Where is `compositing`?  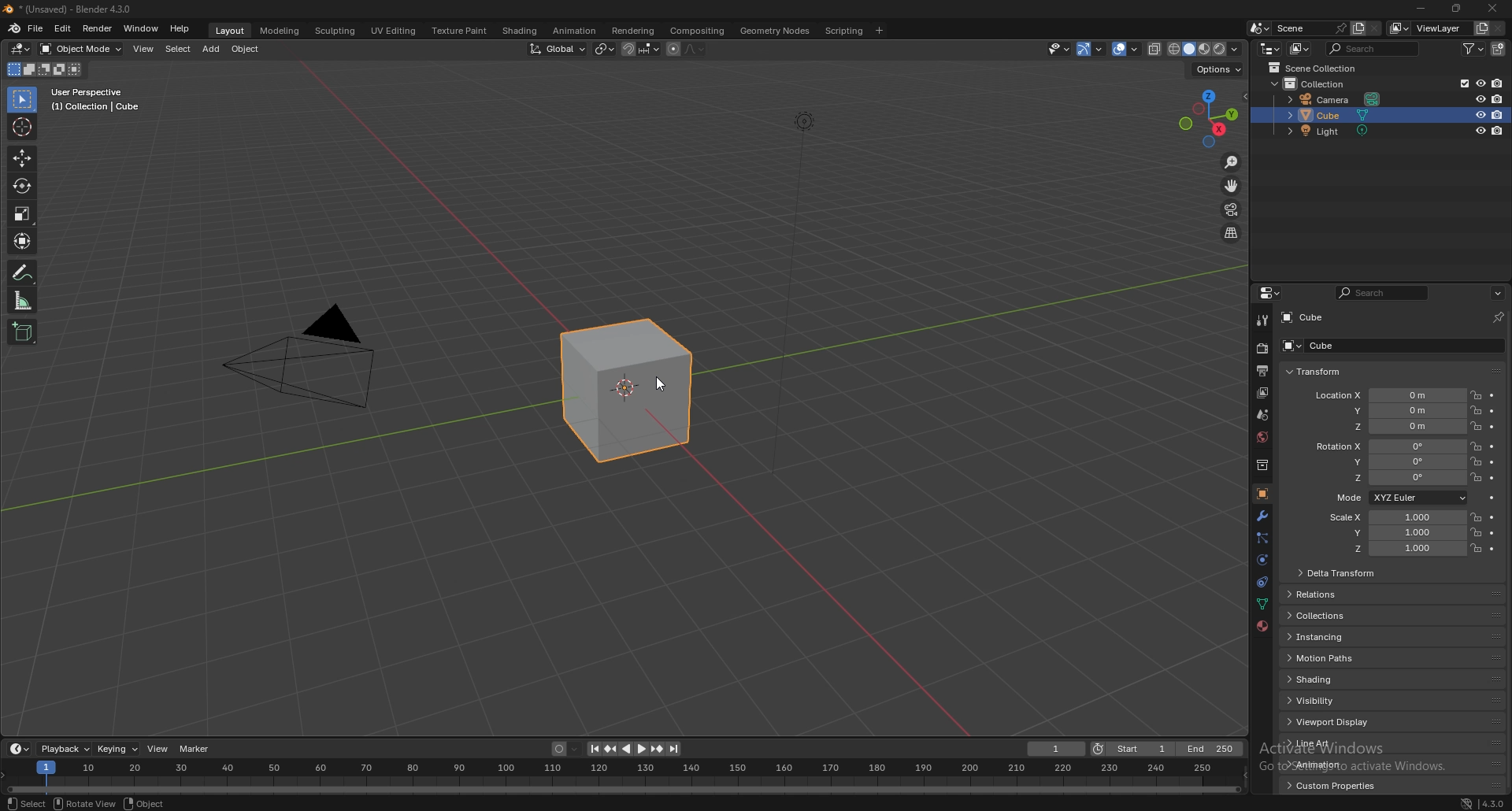 compositing is located at coordinates (700, 31).